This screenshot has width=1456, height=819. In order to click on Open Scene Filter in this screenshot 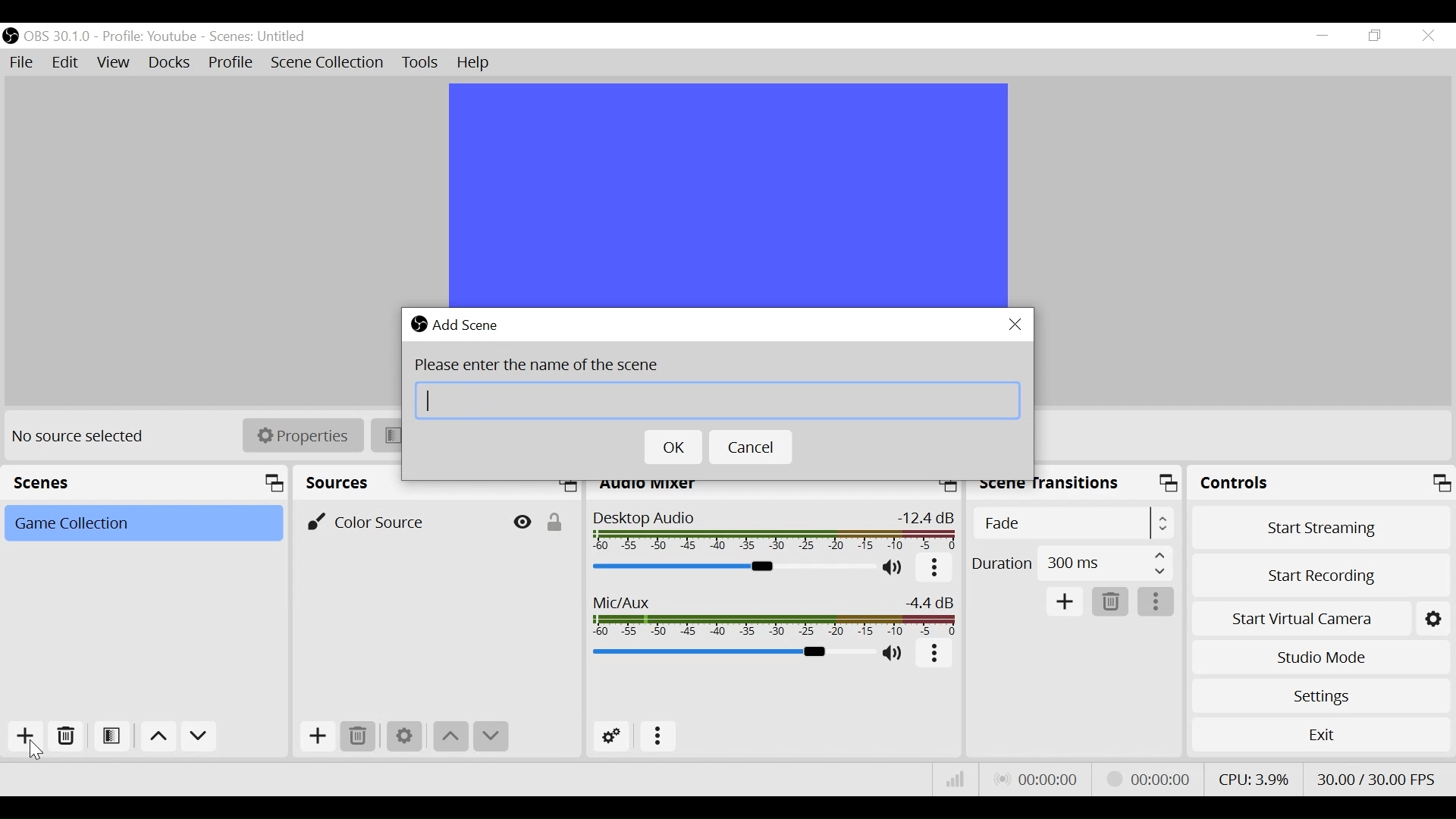, I will do `click(113, 738)`.